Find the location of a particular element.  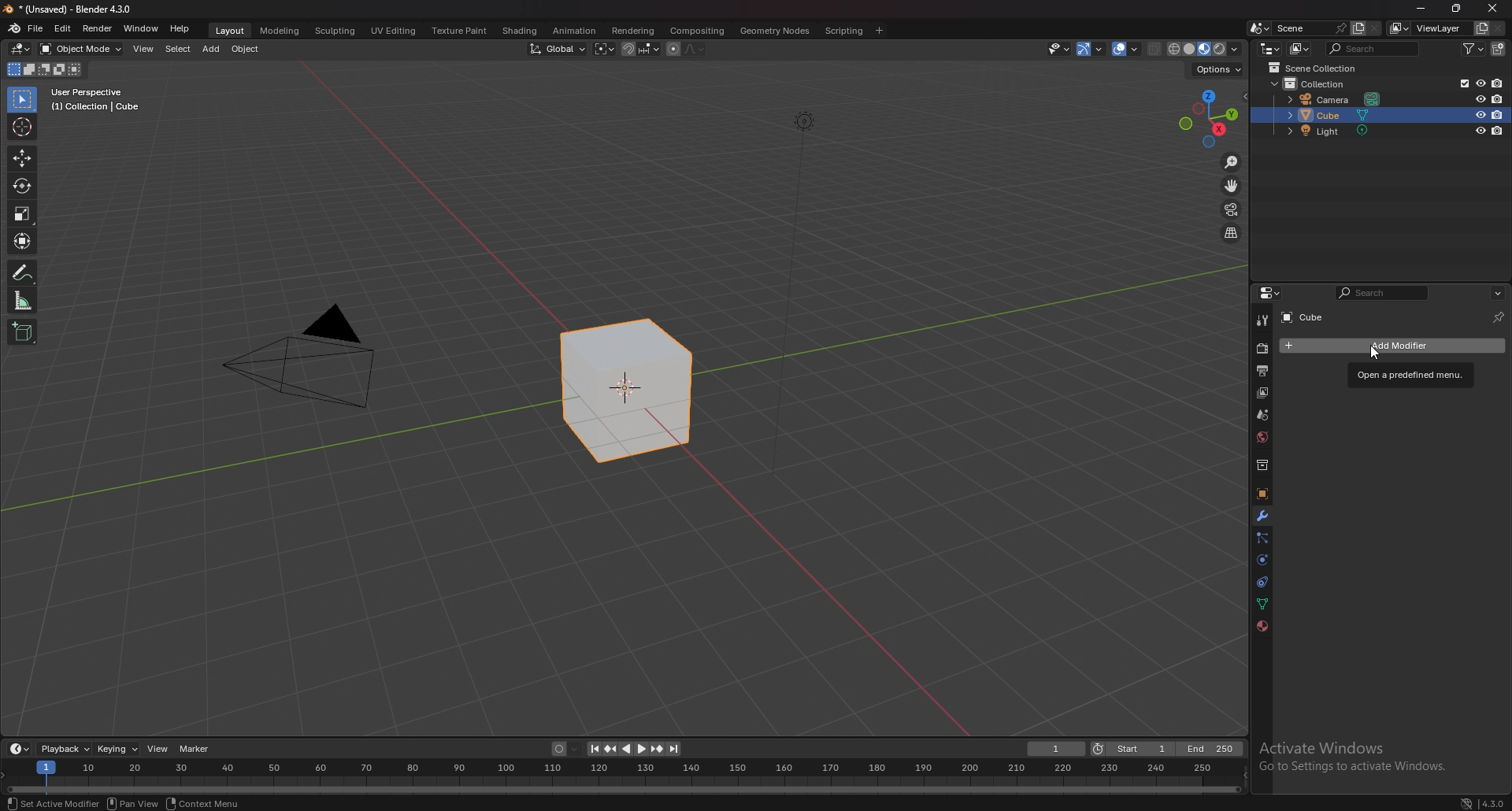

annotate is located at coordinates (22, 273).